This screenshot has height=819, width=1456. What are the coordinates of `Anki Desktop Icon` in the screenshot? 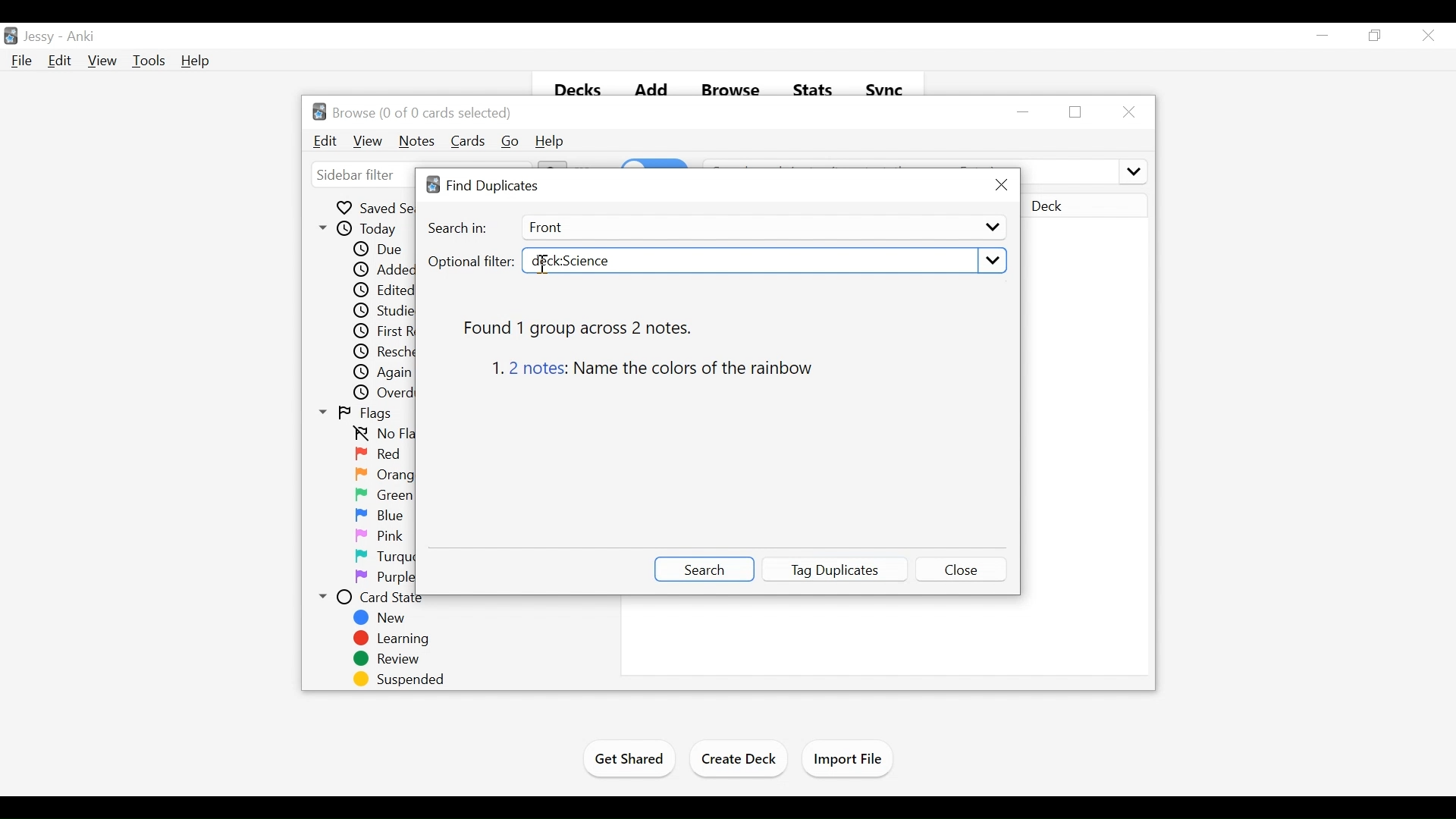 It's located at (11, 36).